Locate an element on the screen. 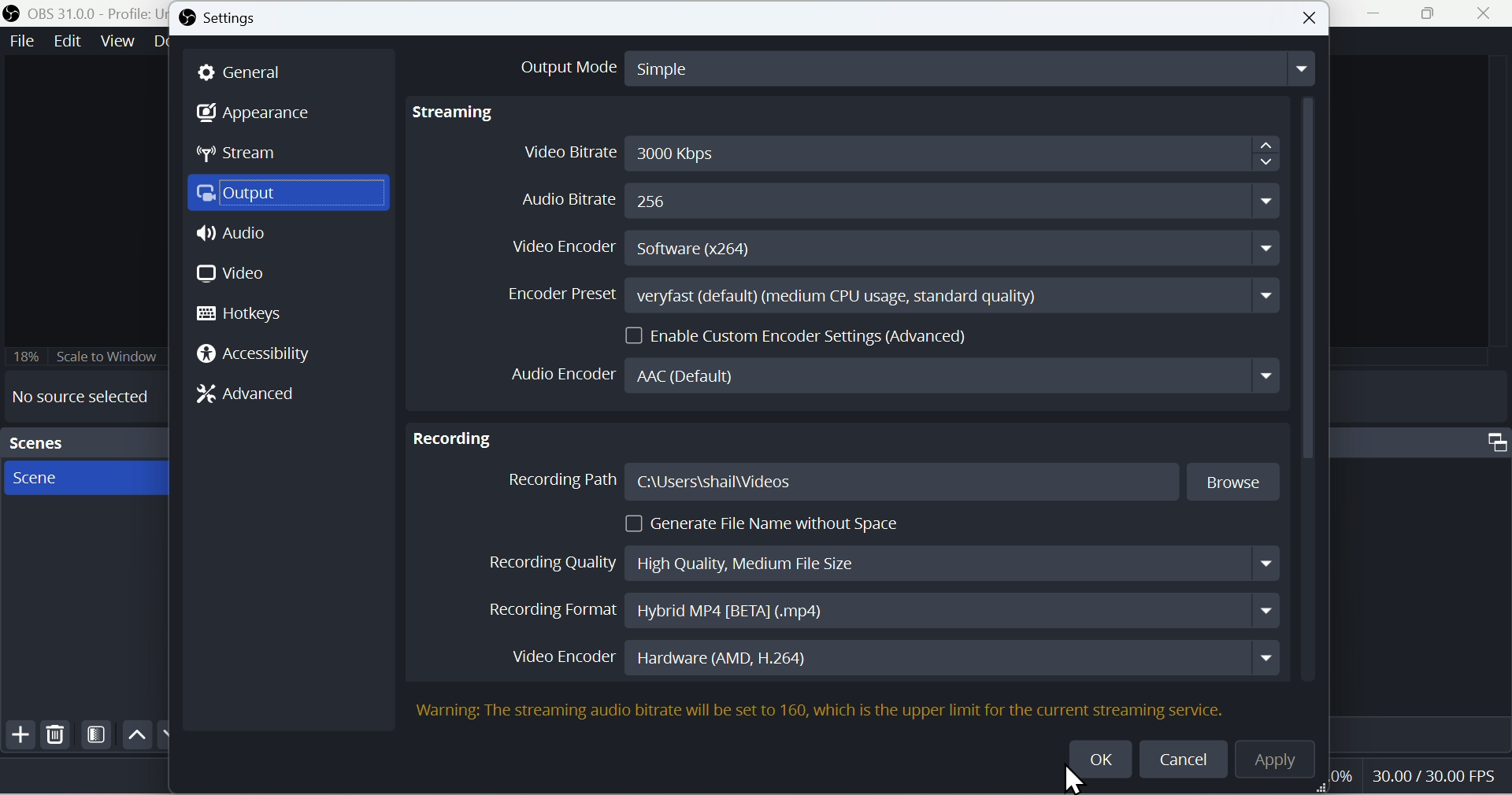  General is located at coordinates (250, 72).